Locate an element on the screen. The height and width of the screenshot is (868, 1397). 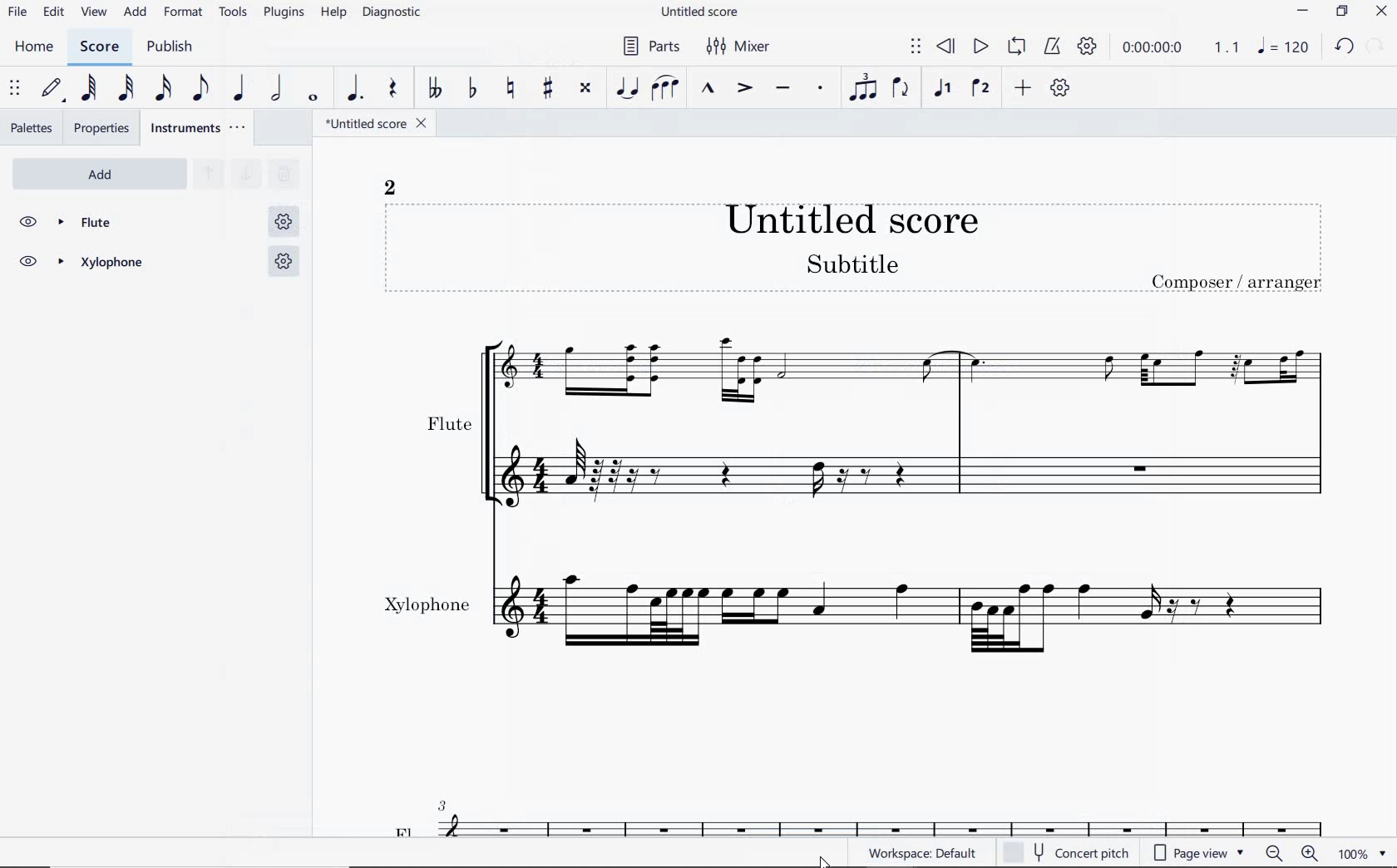
HOME is located at coordinates (34, 47).